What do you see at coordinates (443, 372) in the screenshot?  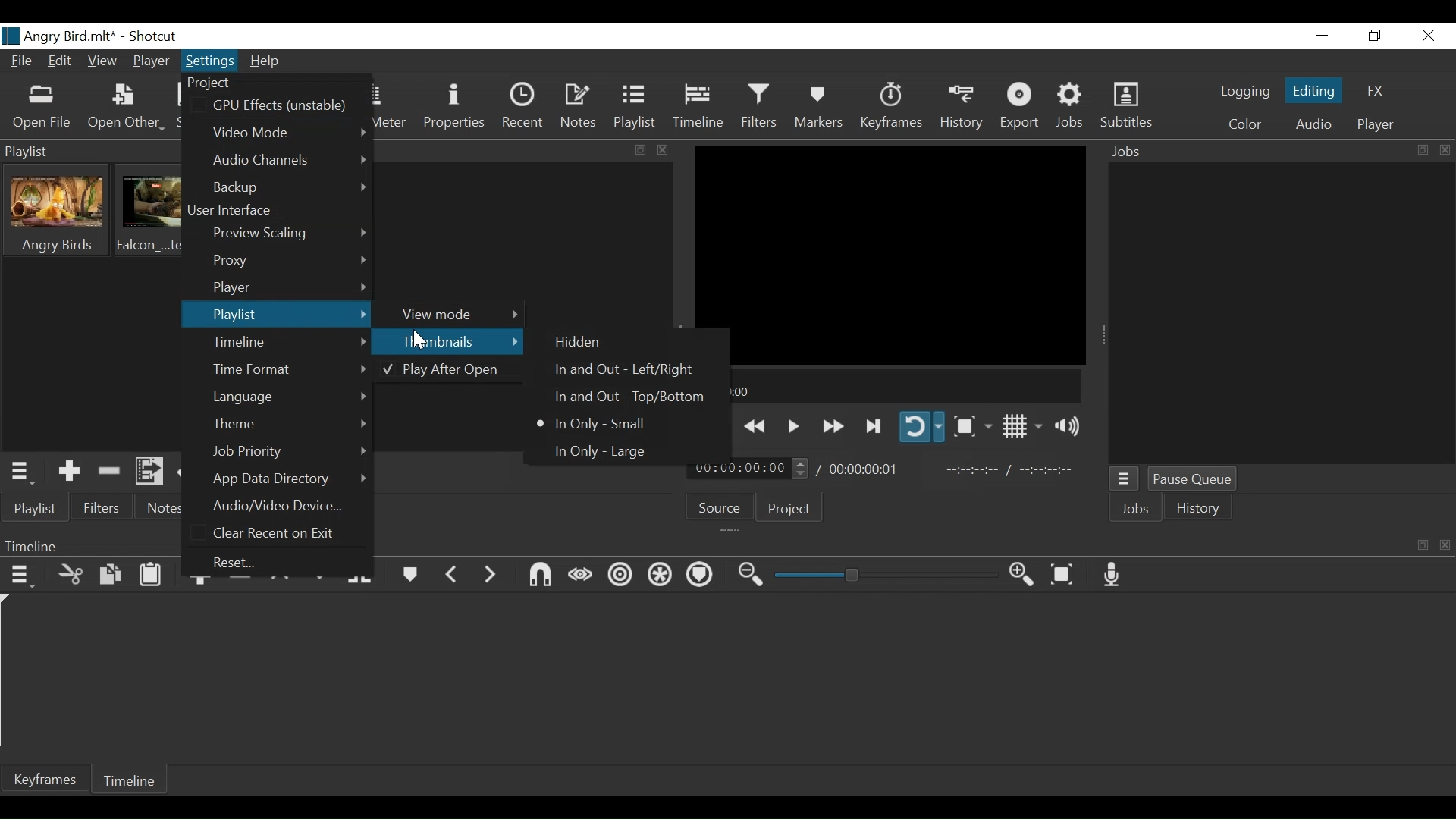 I see `Play After Open` at bounding box center [443, 372].